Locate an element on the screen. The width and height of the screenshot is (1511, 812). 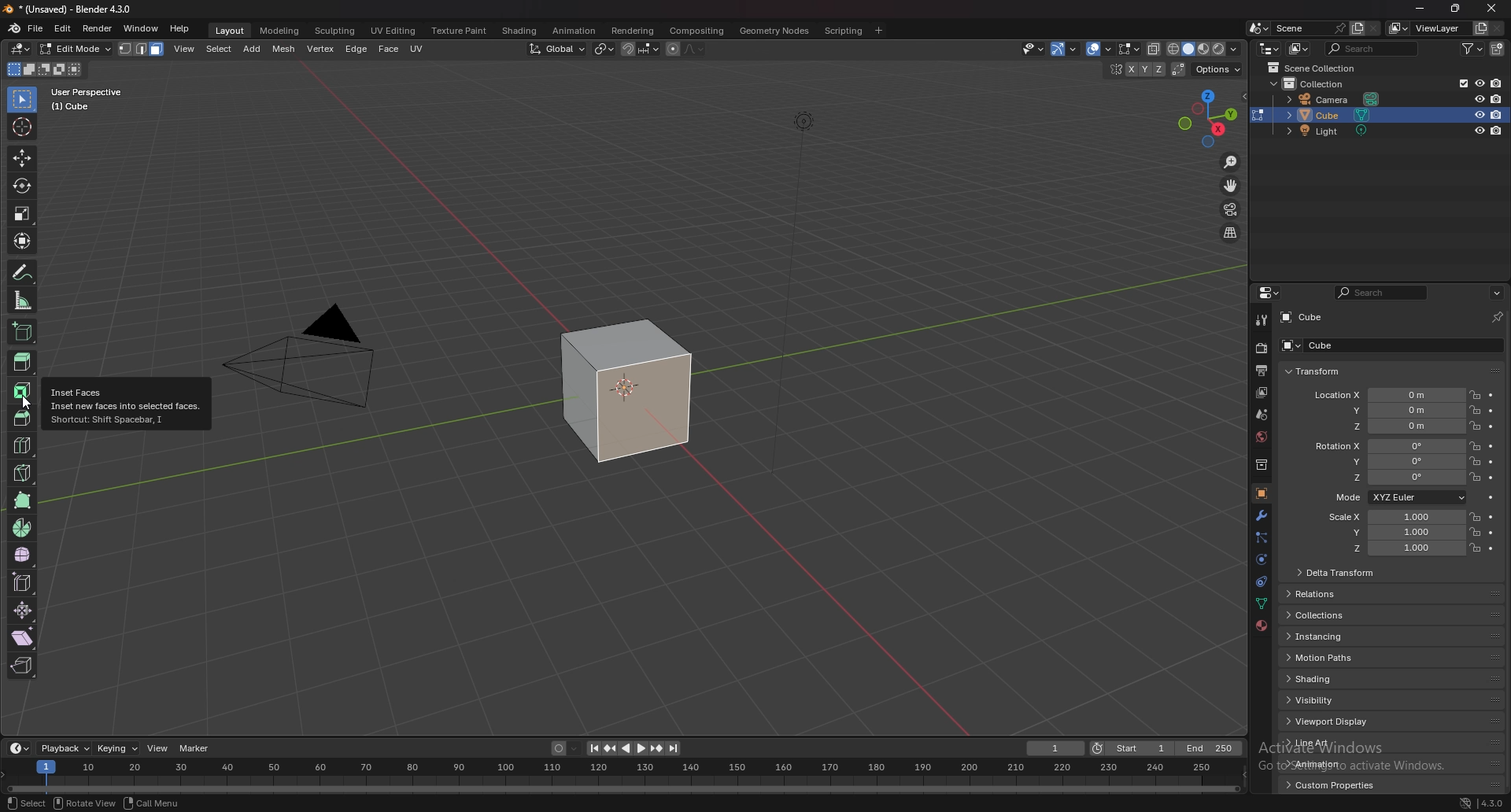
zoom is located at coordinates (1232, 163).